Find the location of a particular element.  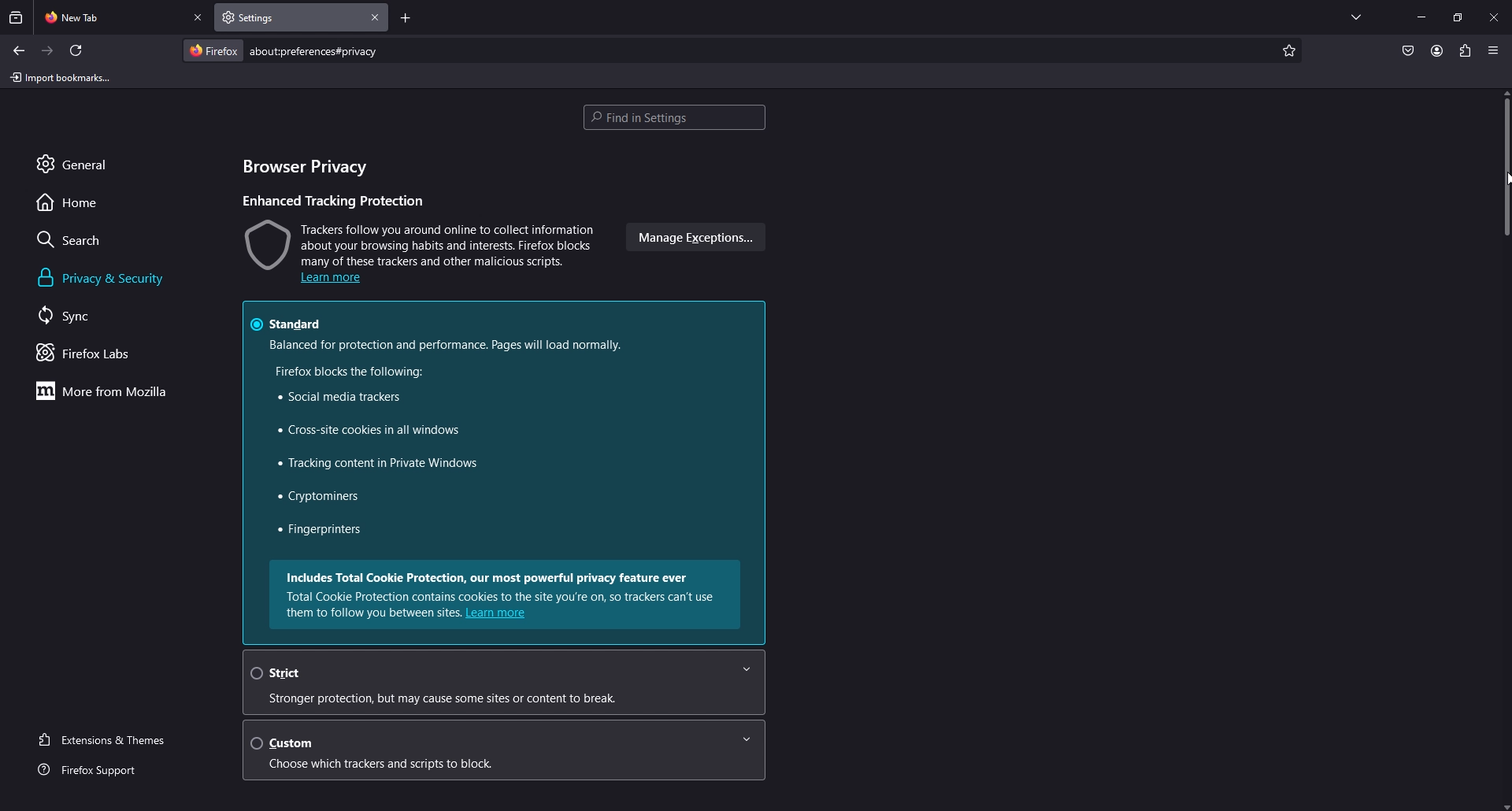

close is located at coordinates (1495, 16).